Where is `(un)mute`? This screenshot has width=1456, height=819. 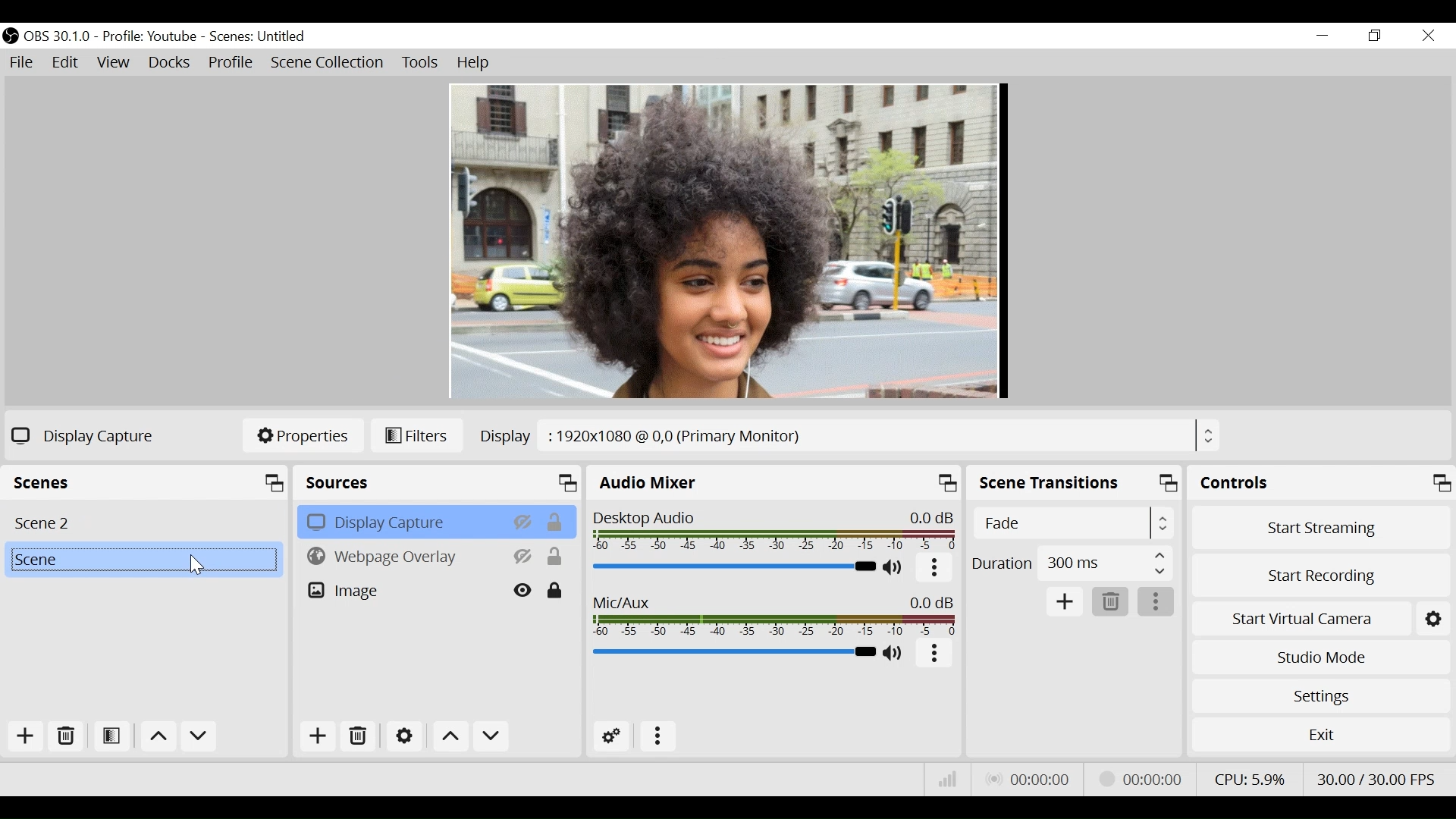
(un)mute is located at coordinates (894, 653).